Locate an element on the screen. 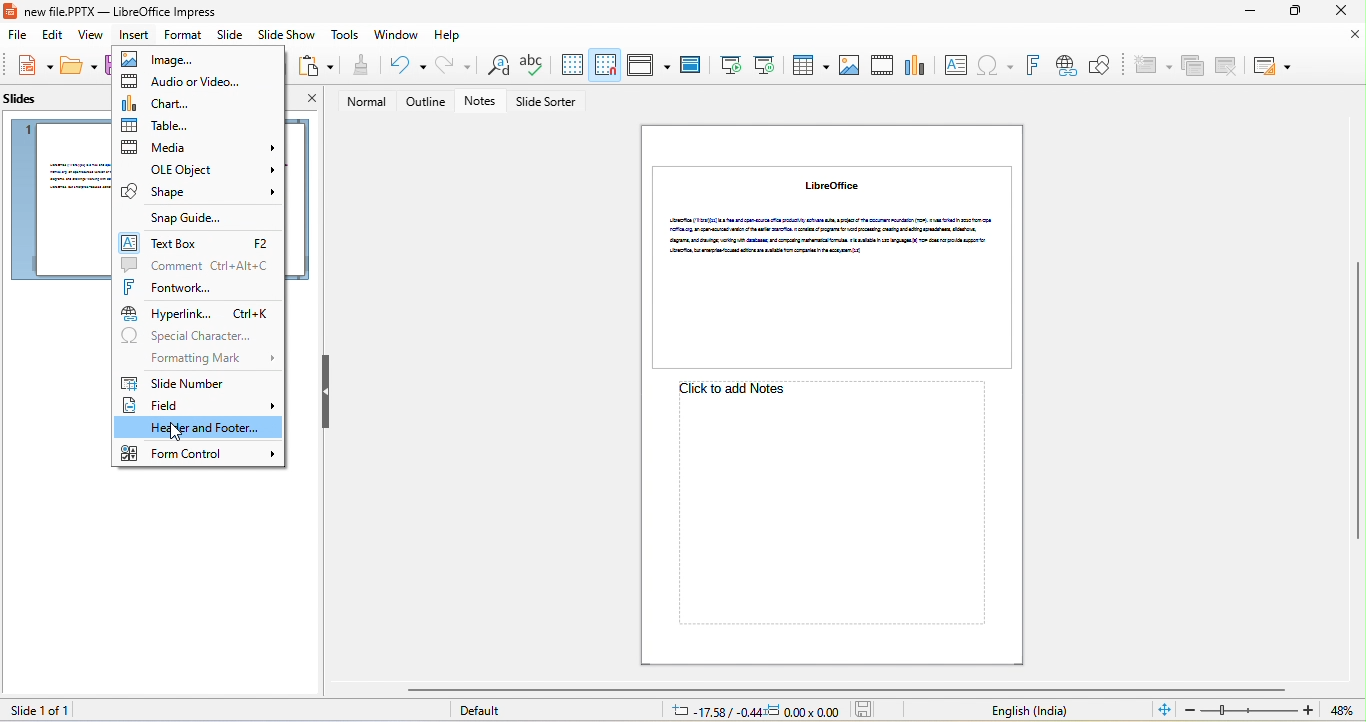 The height and width of the screenshot is (722, 1366). format is located at coordinates (183, 35).